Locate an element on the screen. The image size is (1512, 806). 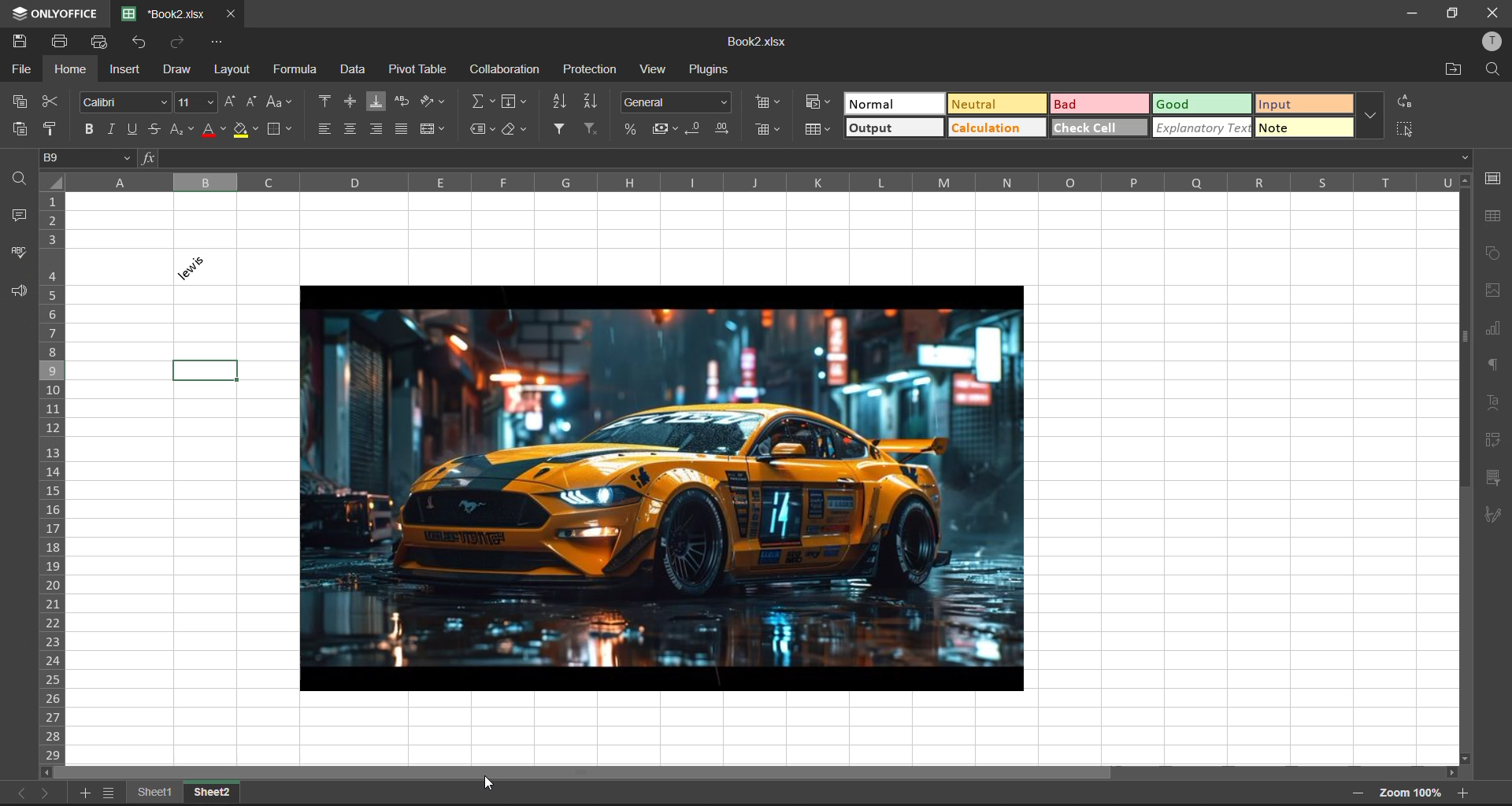
increase decimal is located at coordinates (721, 128).